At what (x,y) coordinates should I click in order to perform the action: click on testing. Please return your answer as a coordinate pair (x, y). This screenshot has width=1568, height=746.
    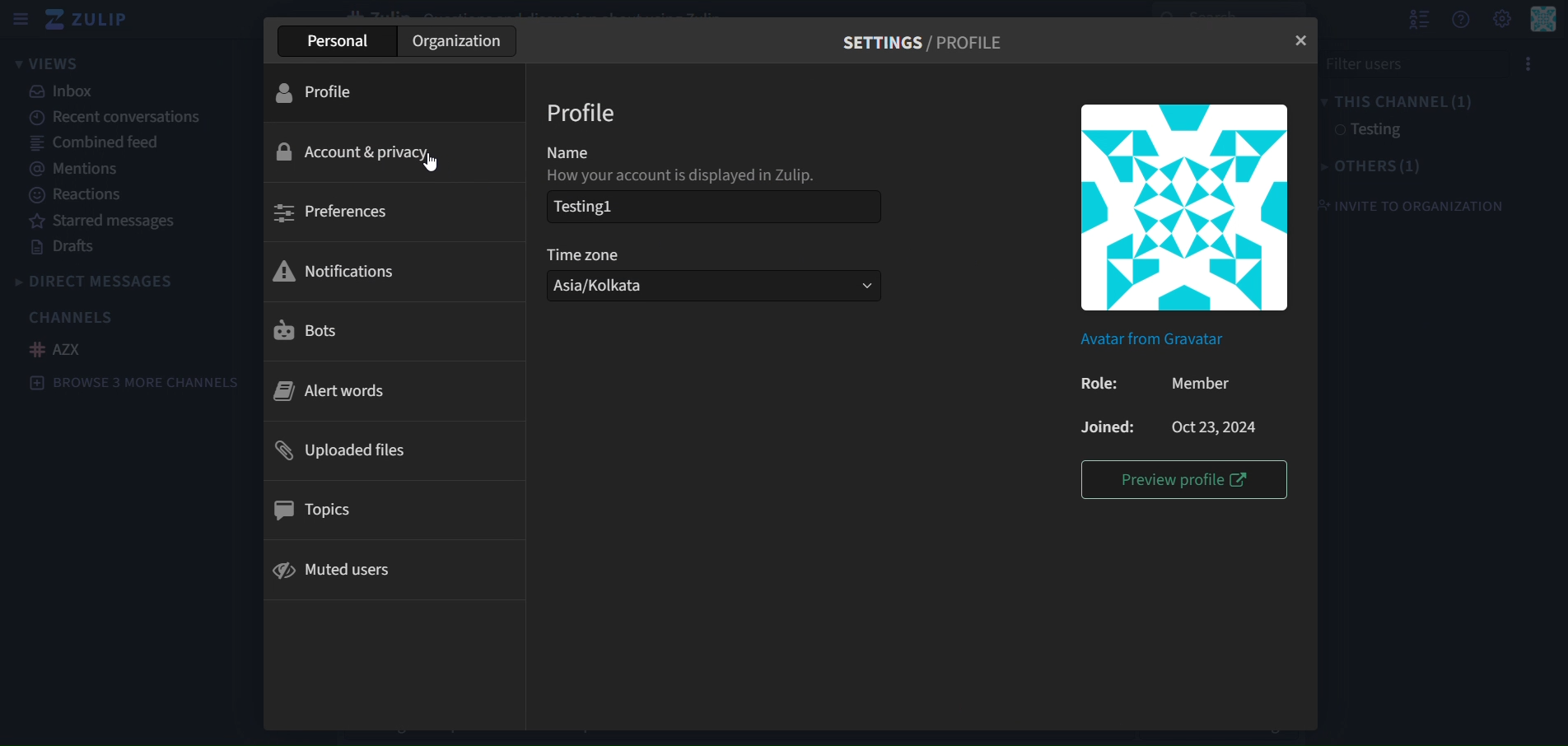
    Looking at the image, I should click on (1366, 130).